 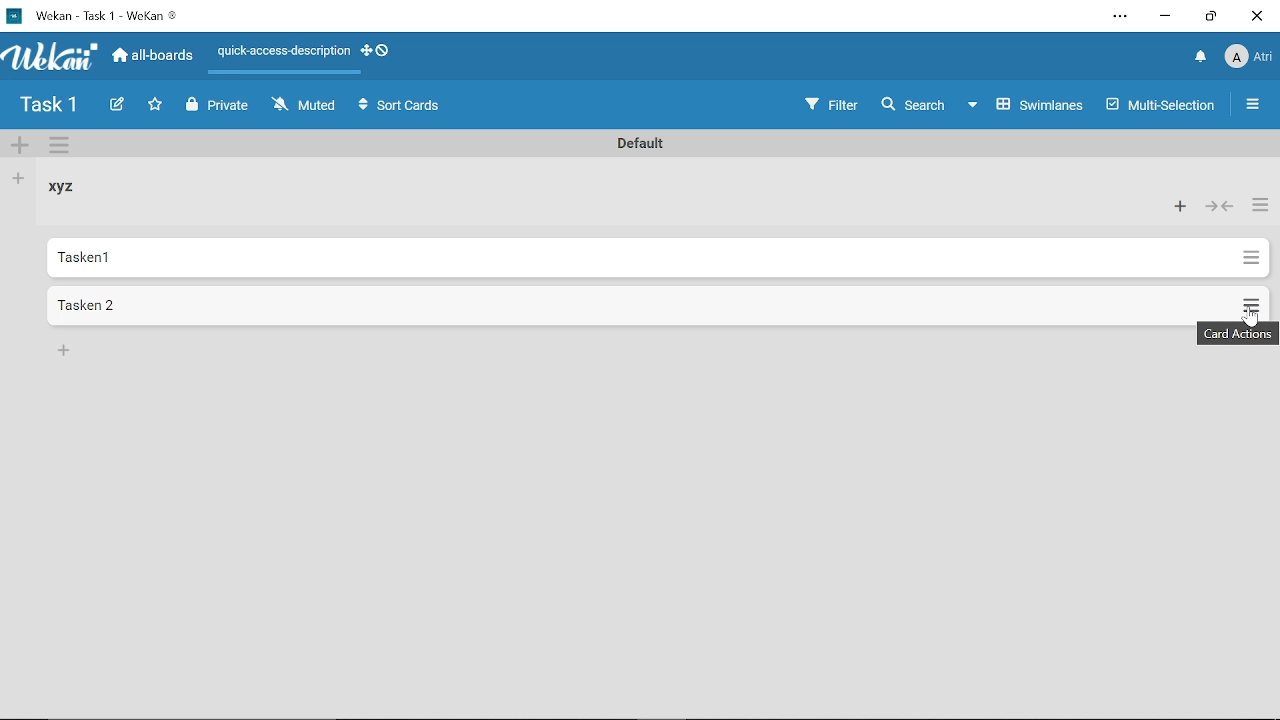 I want to click on Minimize, so click(x=1166, y=16).